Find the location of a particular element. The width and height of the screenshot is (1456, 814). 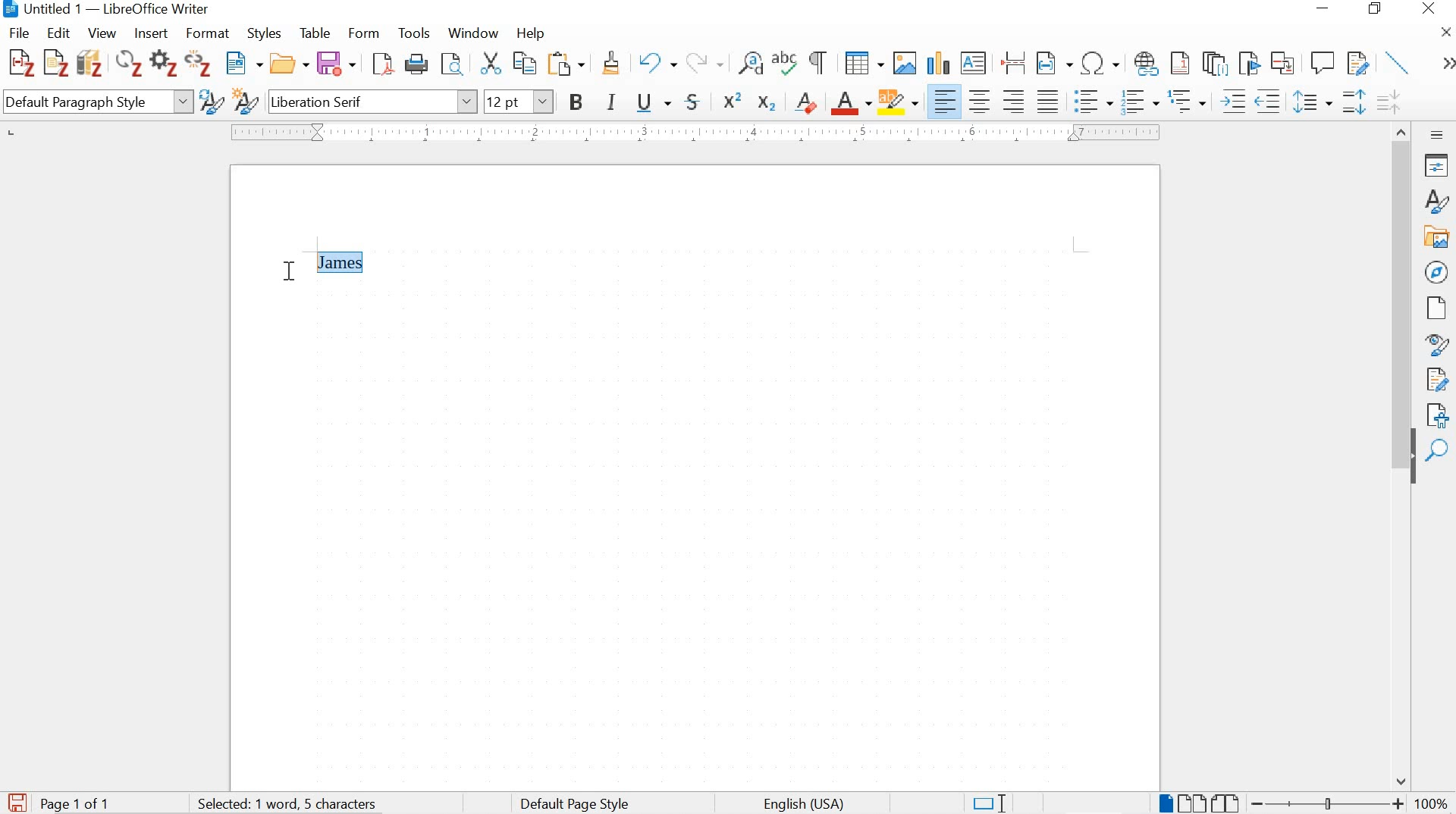

accessibility check is located at coordinates (1439, 415).